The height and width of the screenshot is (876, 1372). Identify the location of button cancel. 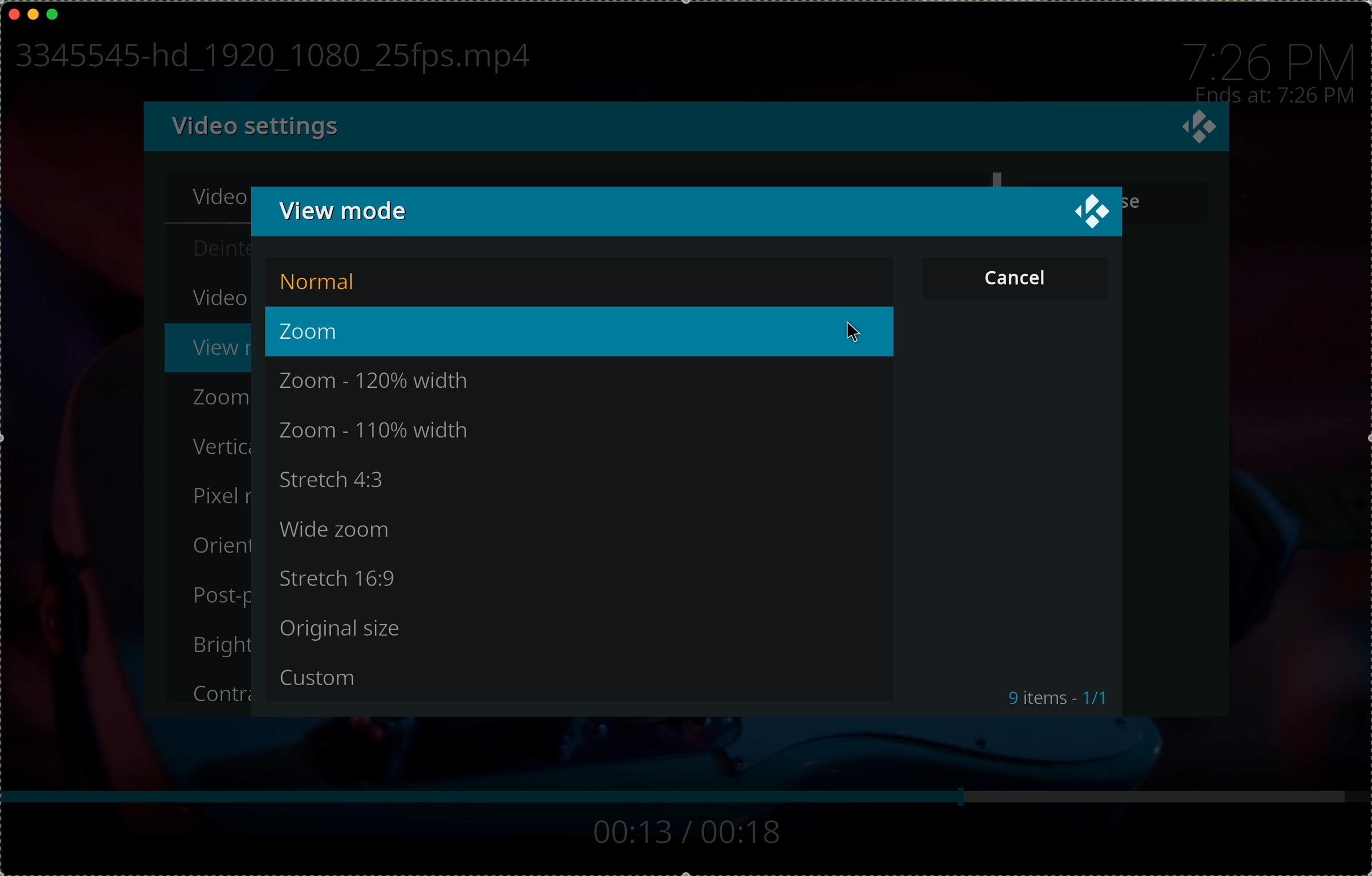
(1014, 280).